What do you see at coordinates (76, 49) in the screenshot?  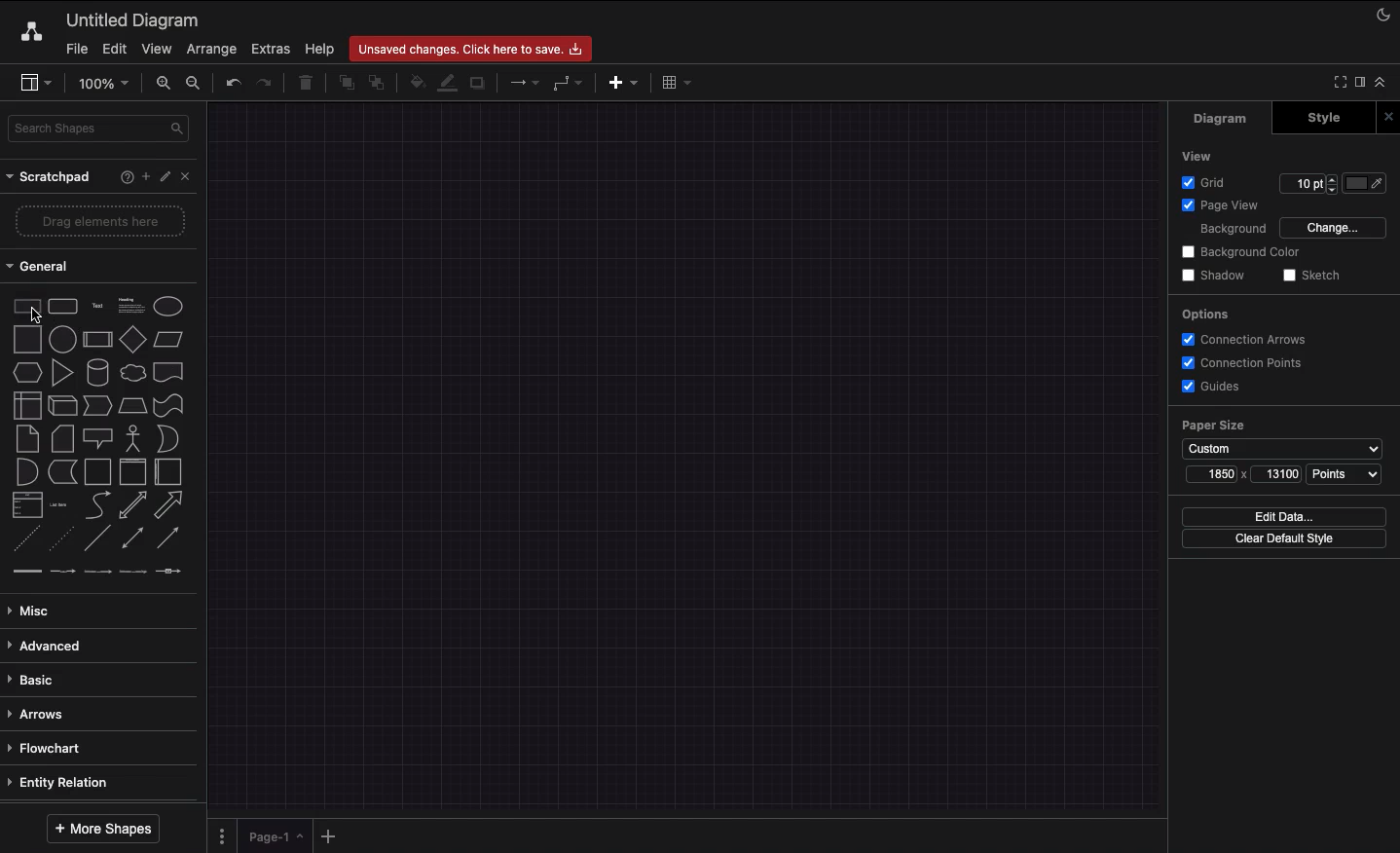 I see `File` at bounding box center [76, 49].